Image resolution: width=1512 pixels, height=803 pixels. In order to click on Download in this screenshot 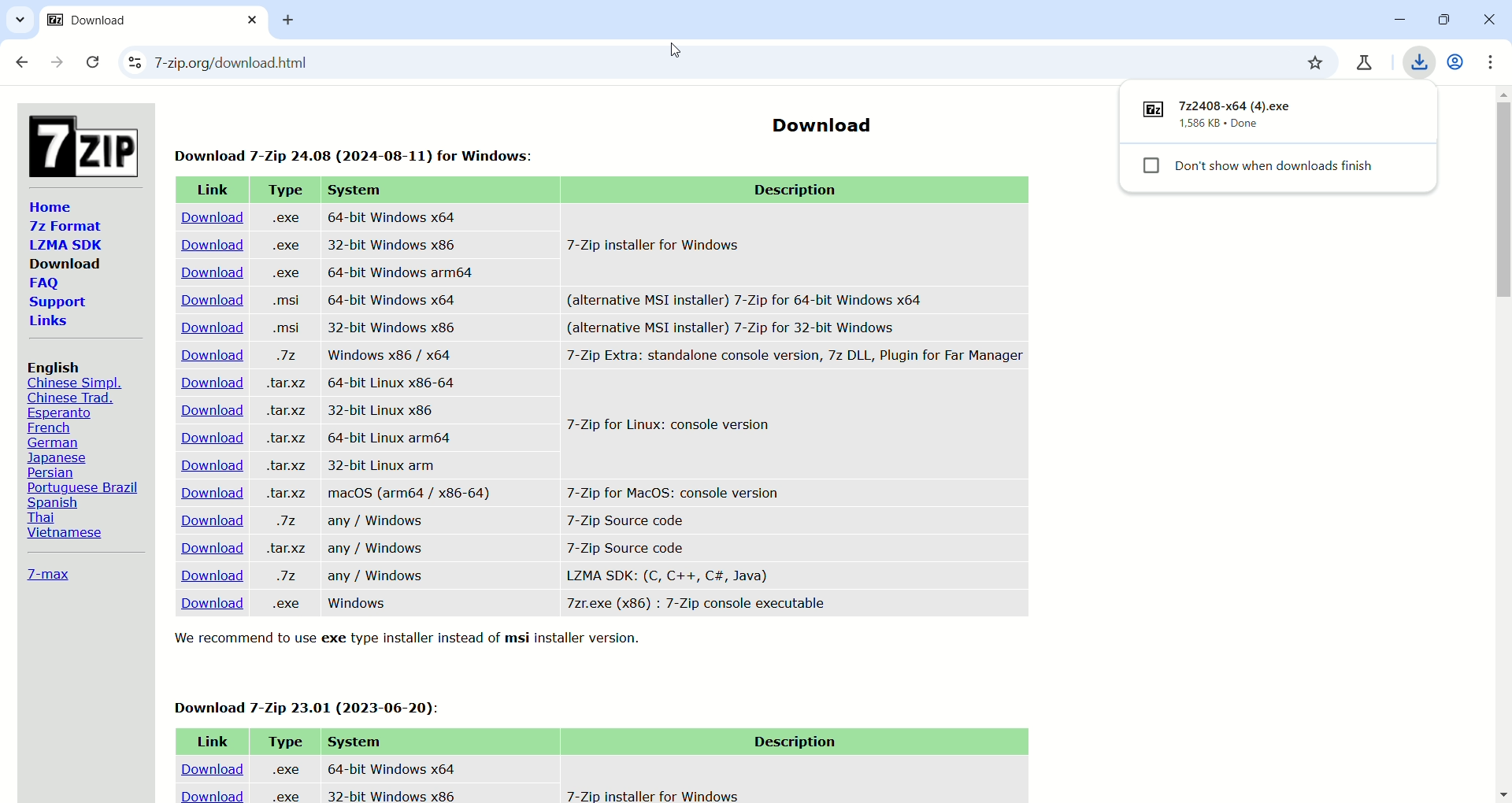, I will do `click(209, 357)`.